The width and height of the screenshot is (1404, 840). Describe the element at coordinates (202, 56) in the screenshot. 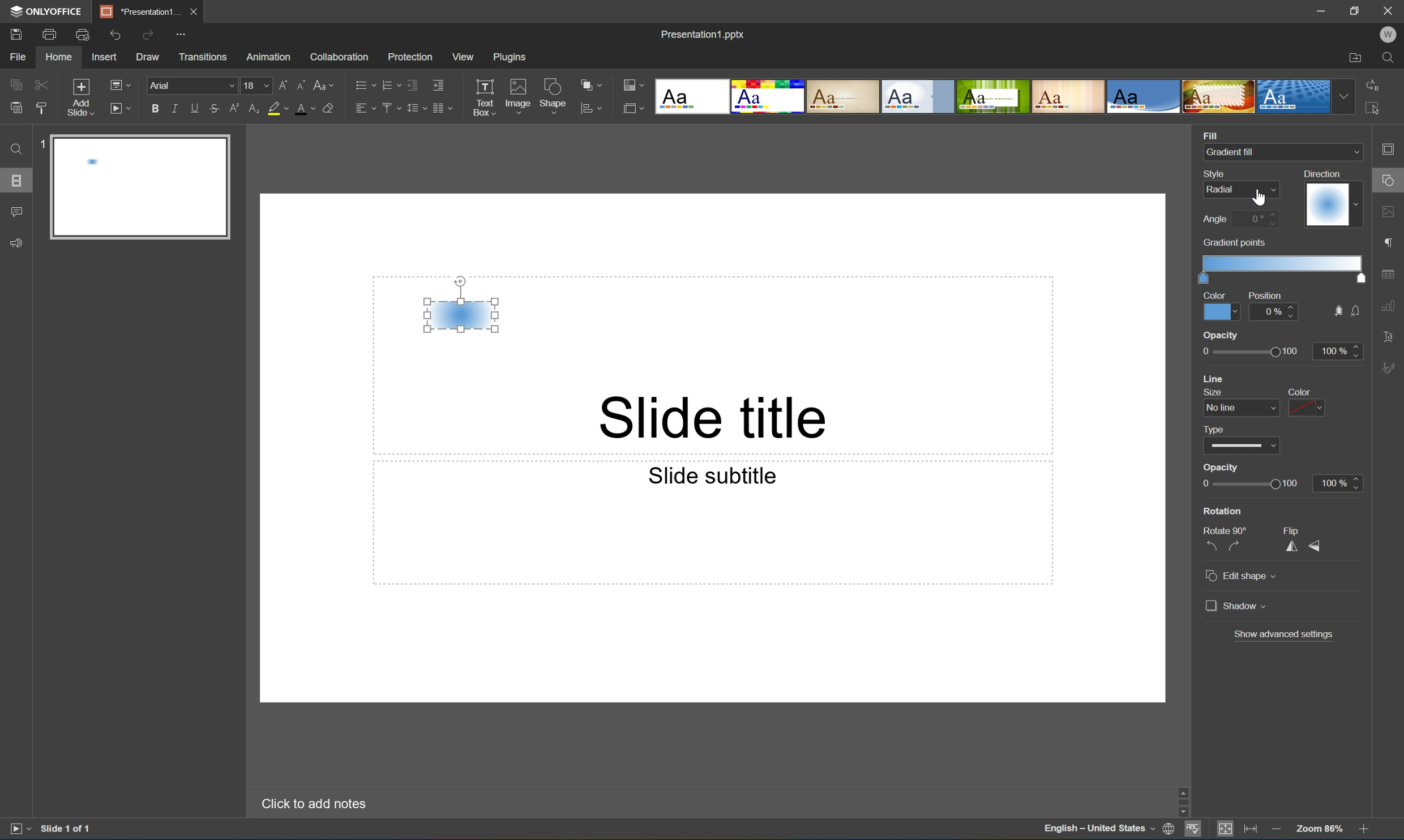

I see `Transitions` at that location.